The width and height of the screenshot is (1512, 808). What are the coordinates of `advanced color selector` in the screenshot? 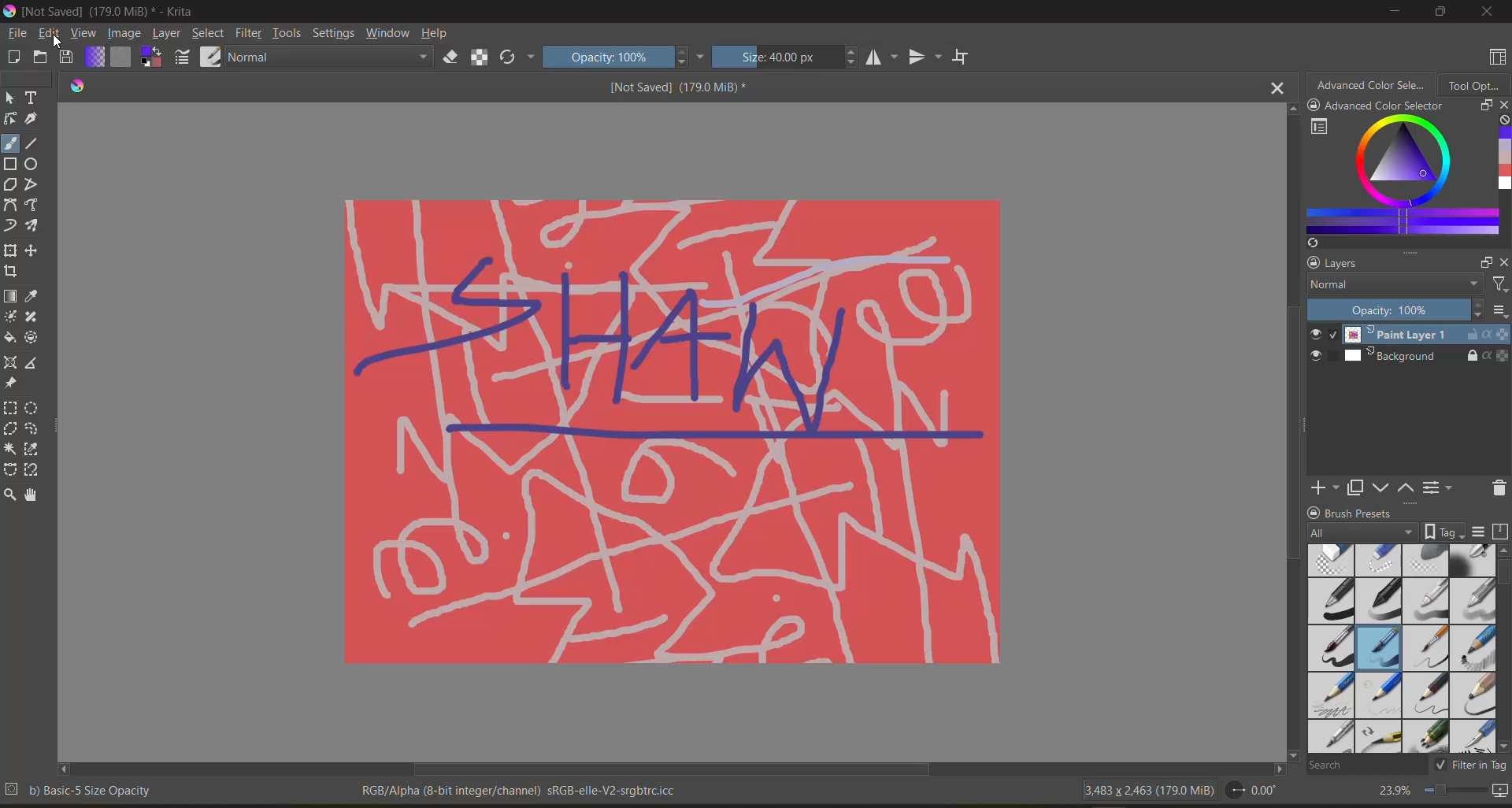 It's located at (1395, 183).